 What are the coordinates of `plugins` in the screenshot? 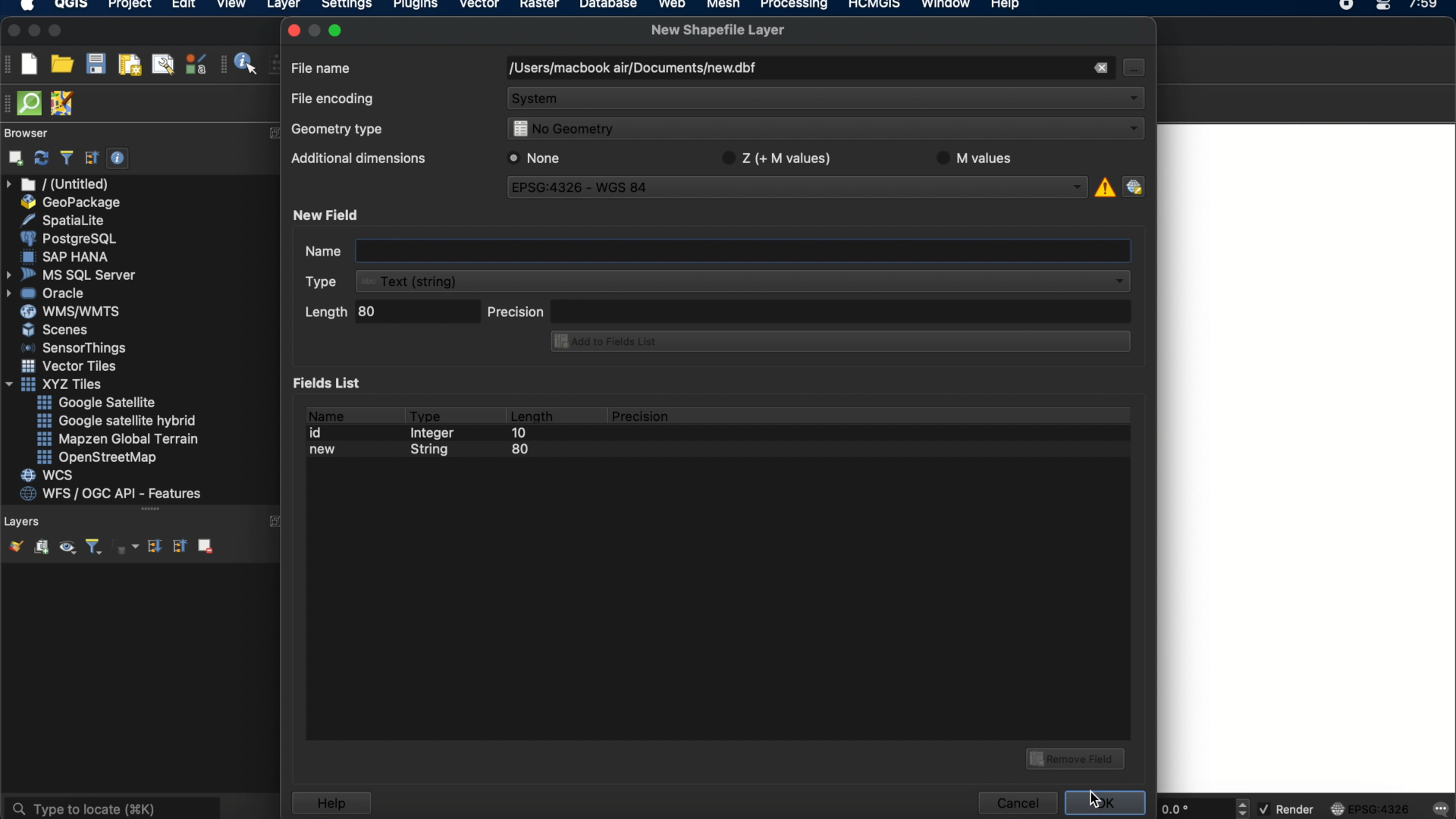 It's located at (416, 7).